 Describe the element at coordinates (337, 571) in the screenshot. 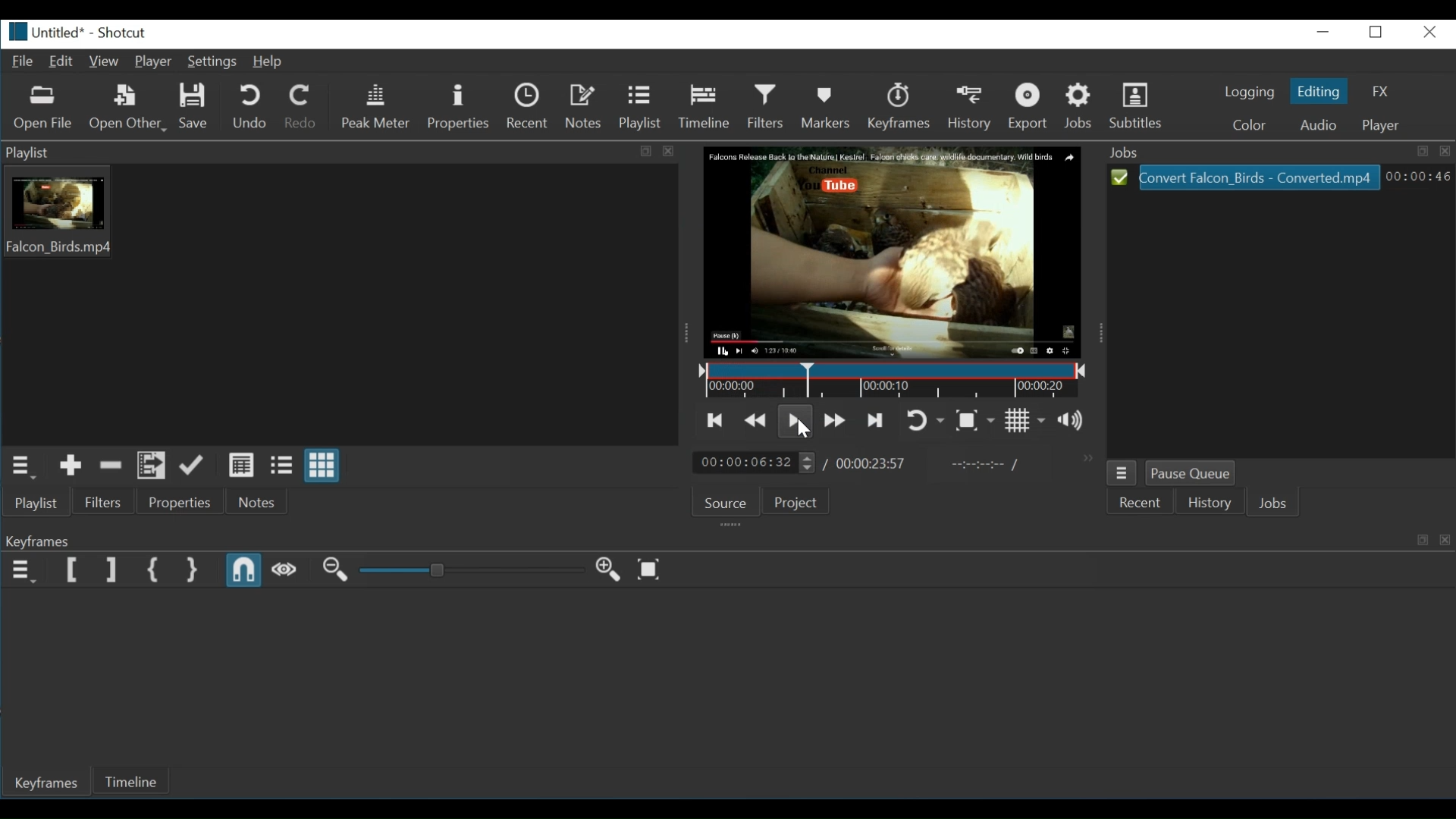

I see `Zoom keyframe out` at that location.